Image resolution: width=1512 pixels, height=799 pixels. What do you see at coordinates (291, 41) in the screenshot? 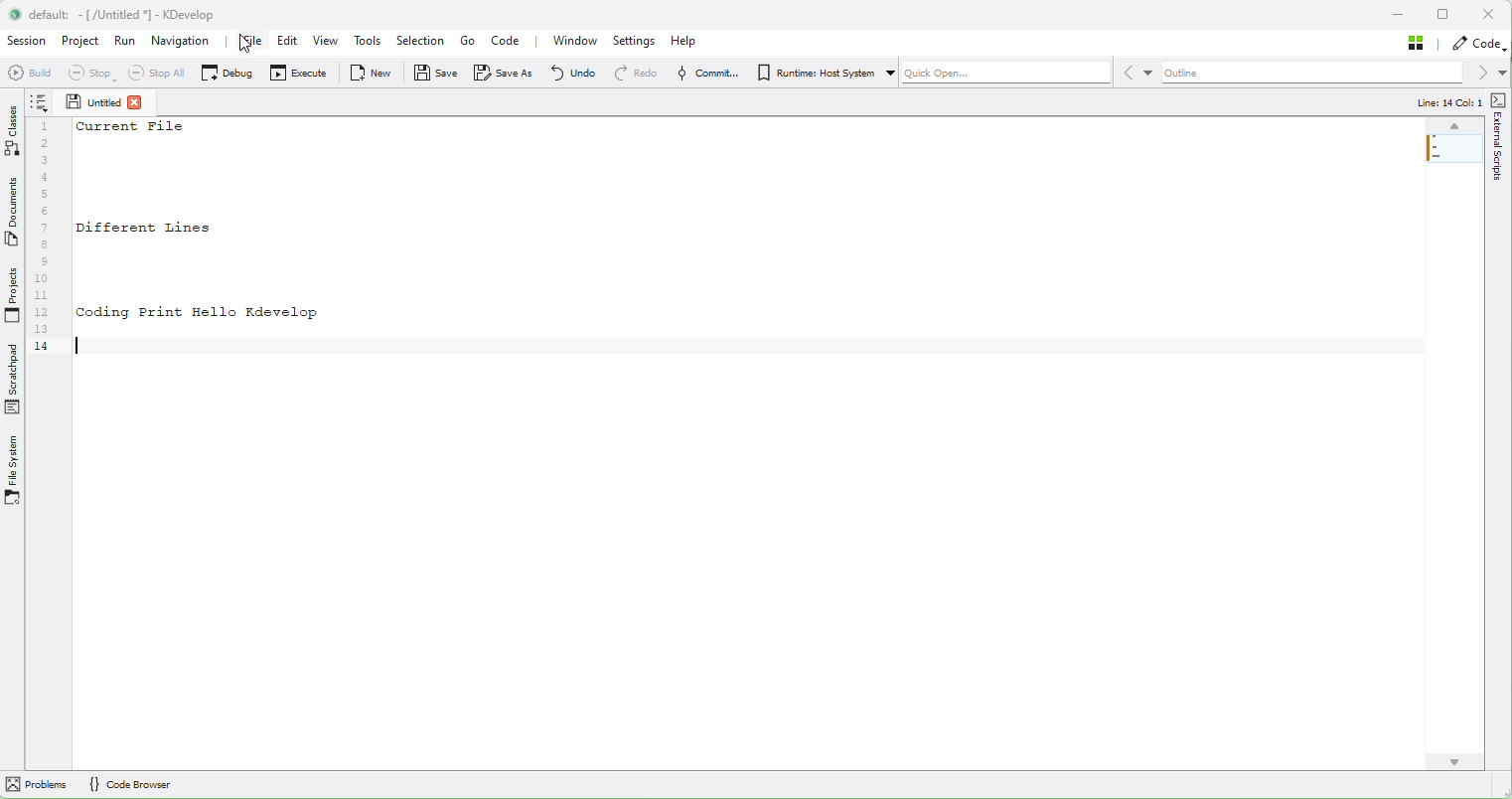
I see `Edit` at bounding box center [291, 41].